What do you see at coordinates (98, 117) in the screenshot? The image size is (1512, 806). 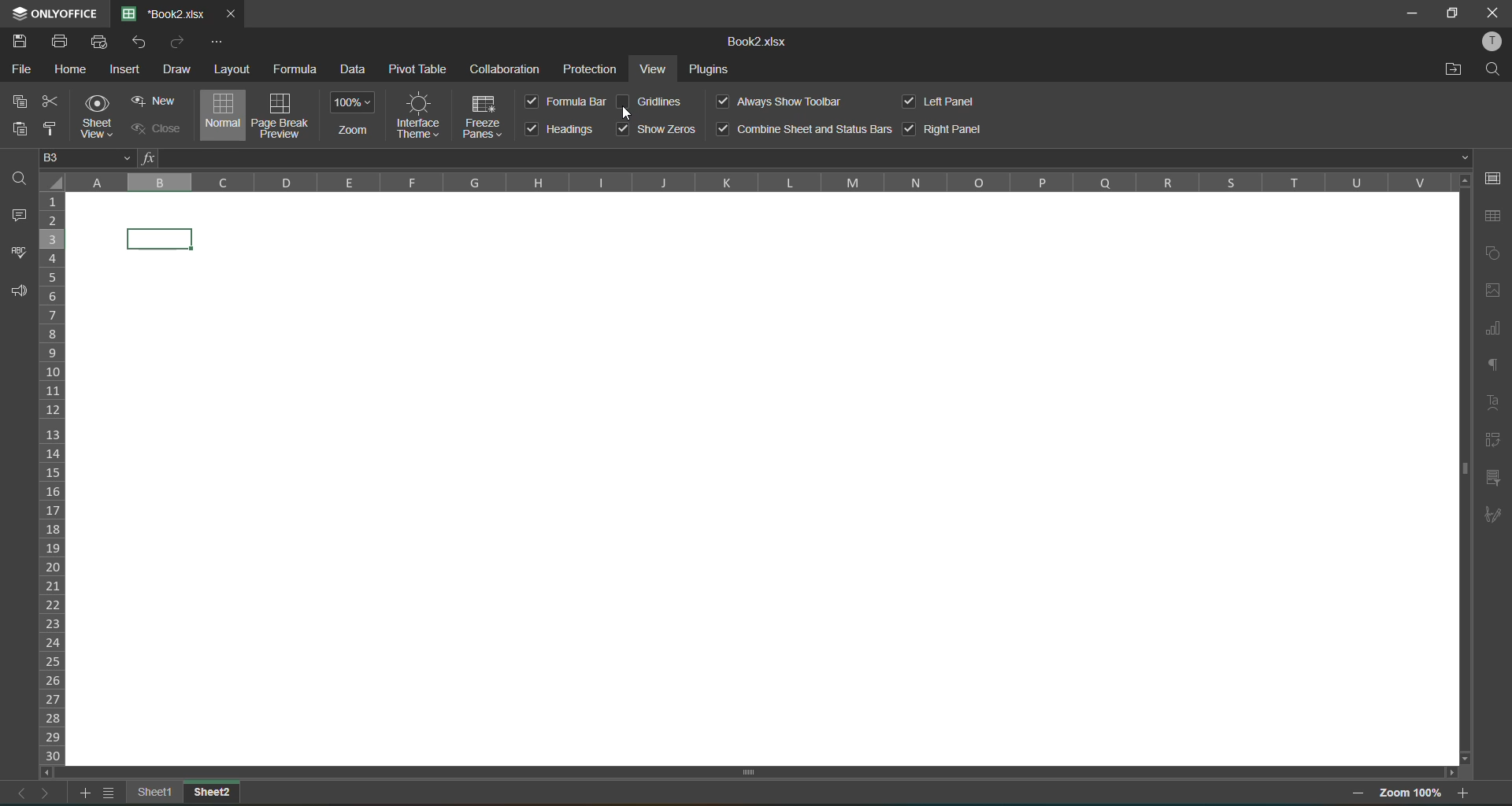 I see `sheet view` at bounding box center [98, 117].